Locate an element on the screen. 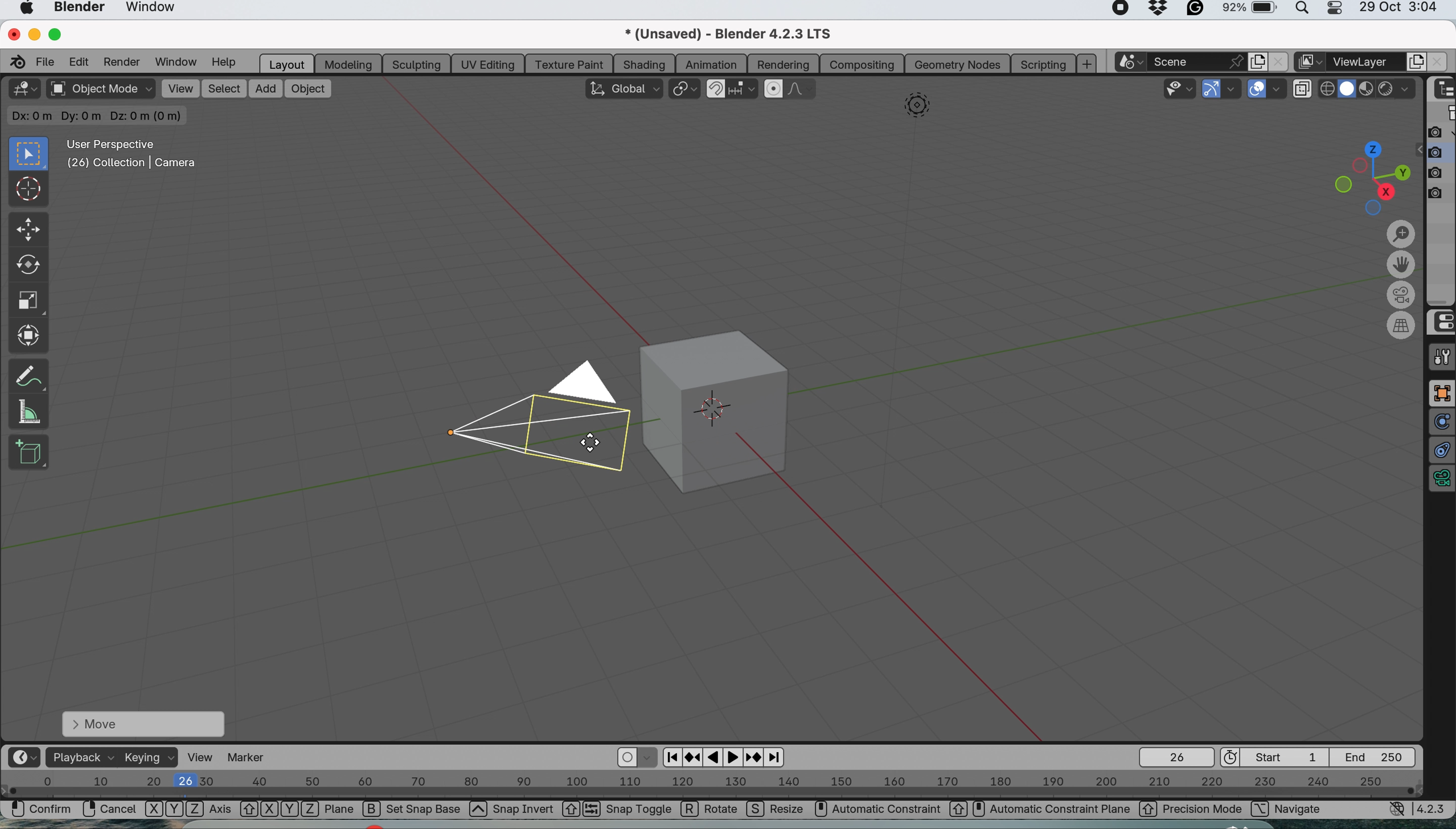 The width and height of the screenshot is (1456, 829). Dc: 0 m Dy: 0 m (0 m) is located at coordinates (99, 116).